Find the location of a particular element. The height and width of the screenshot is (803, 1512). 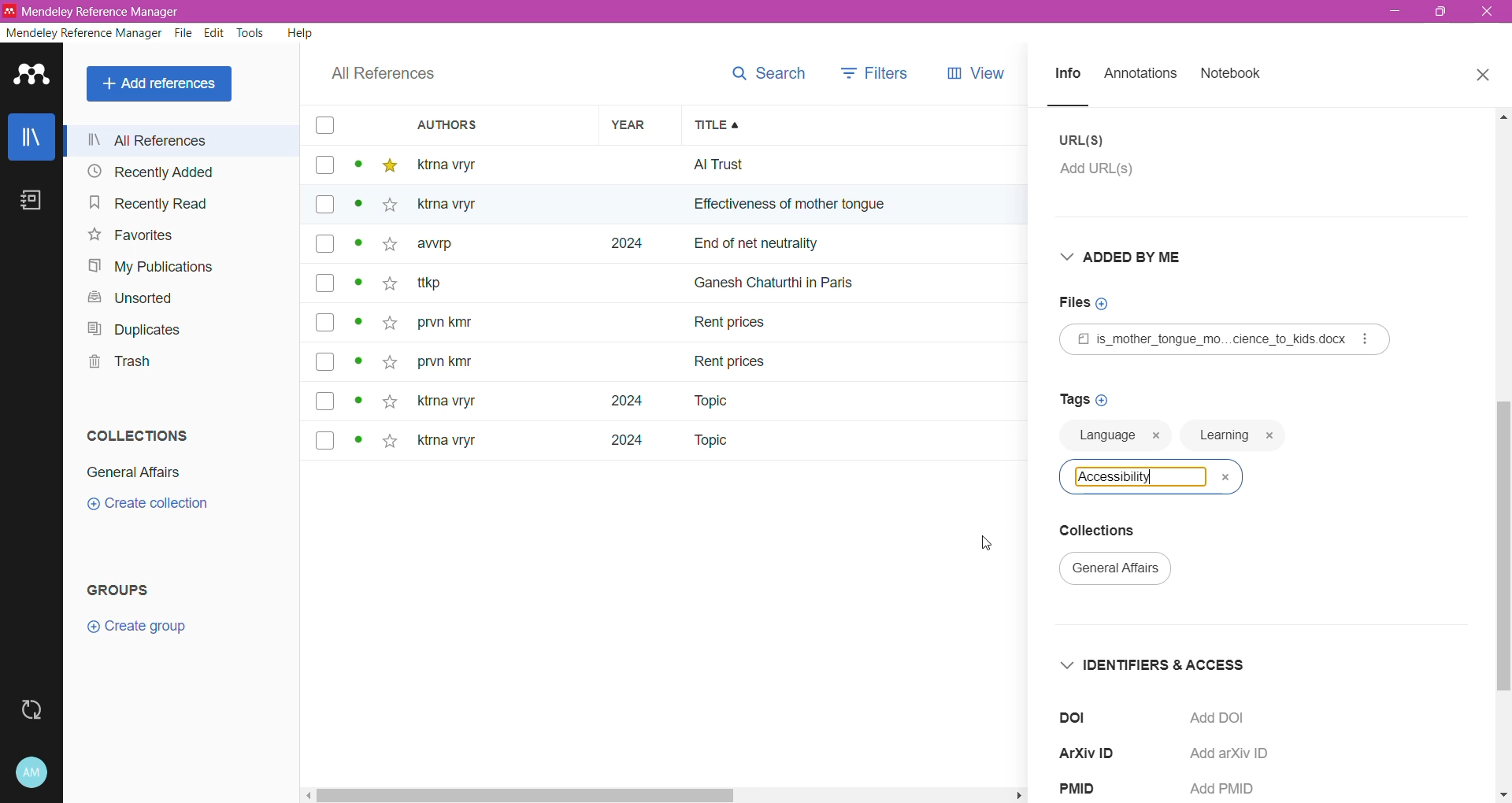

2024 is located at coordinates (613, 401).